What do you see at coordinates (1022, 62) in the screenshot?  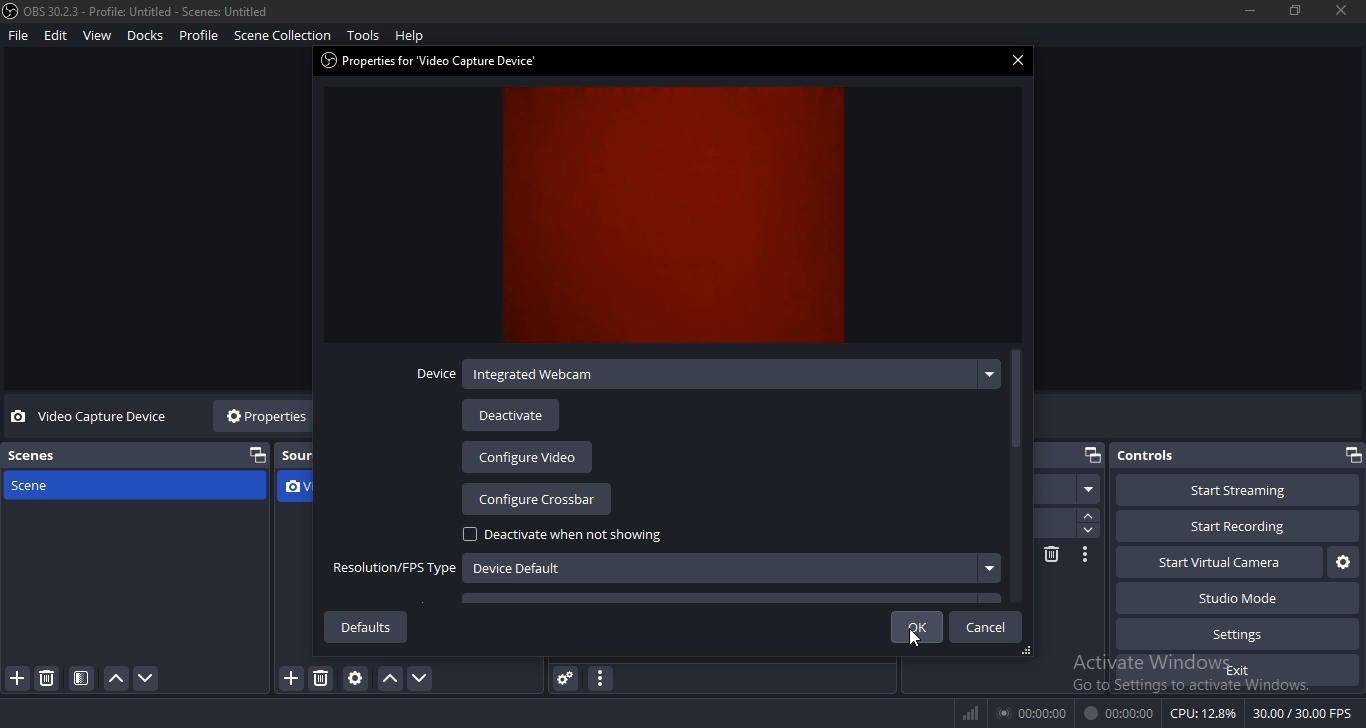 I see `close` at bounding box center [1022, 62].